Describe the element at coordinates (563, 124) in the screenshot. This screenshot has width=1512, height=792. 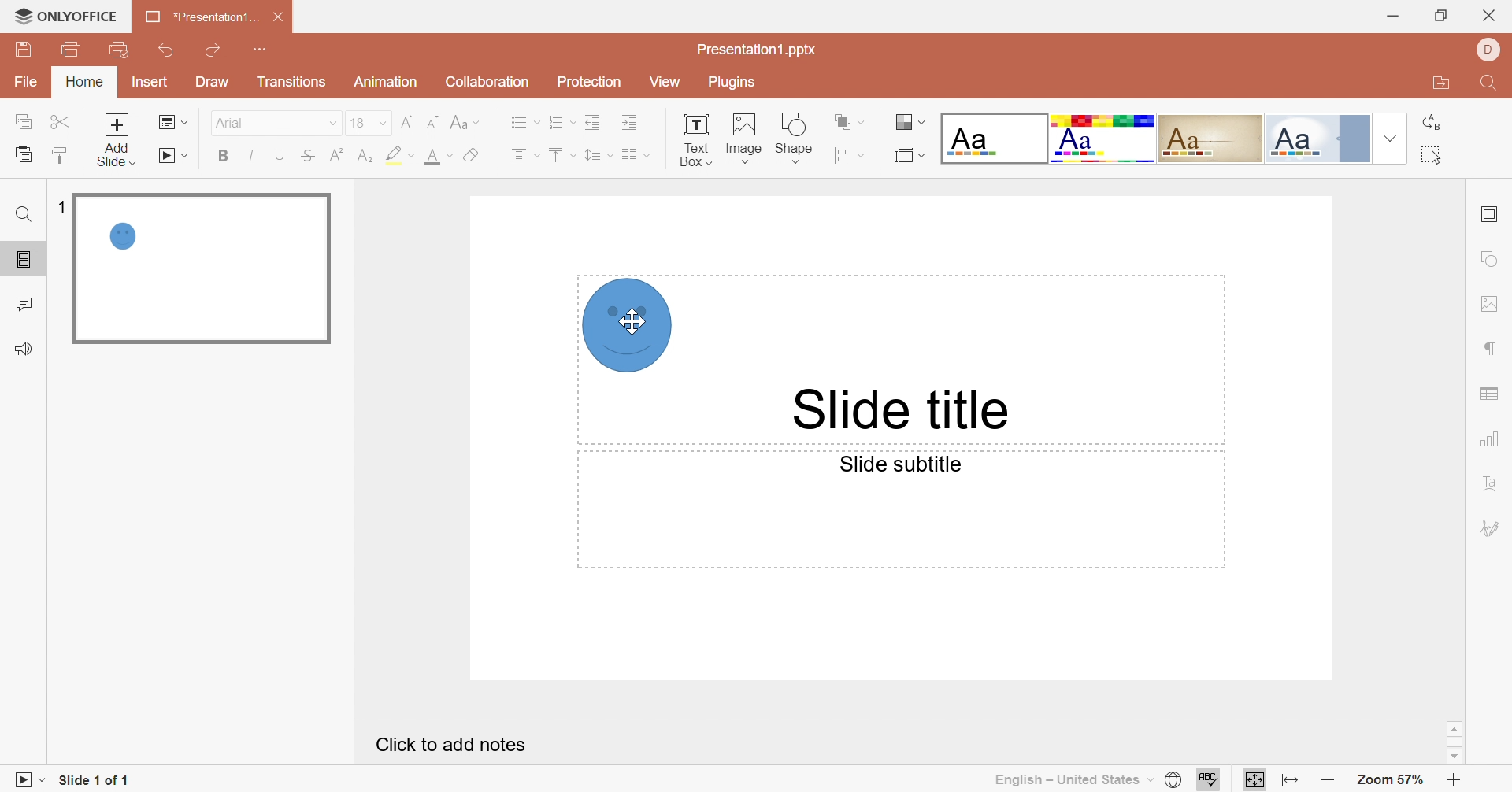
I see `Numbering` at that location.